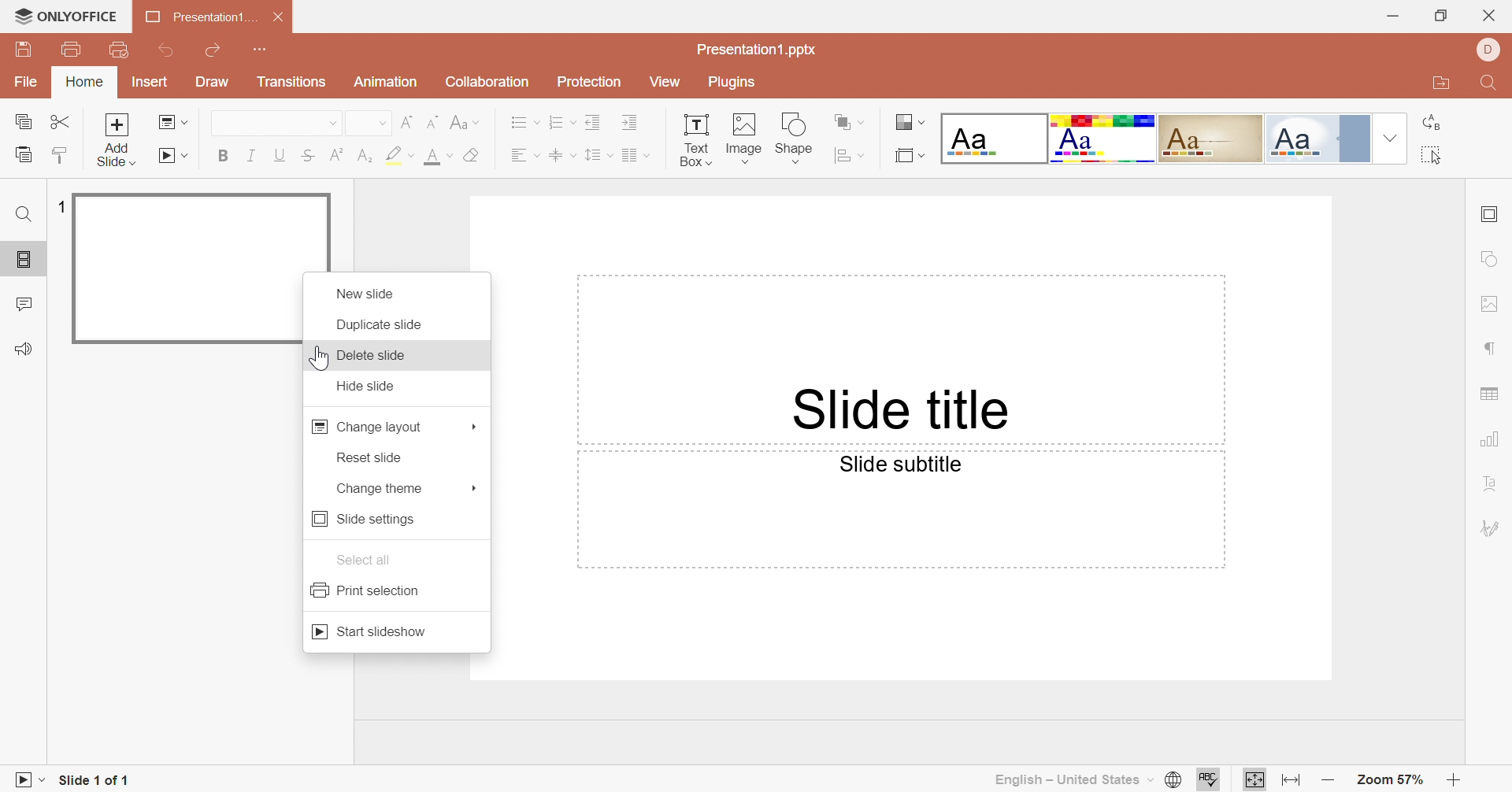  What do you see at coordinates (279, 155) in the screenshot?
I see `Underline` at bounding box center [279, 155].